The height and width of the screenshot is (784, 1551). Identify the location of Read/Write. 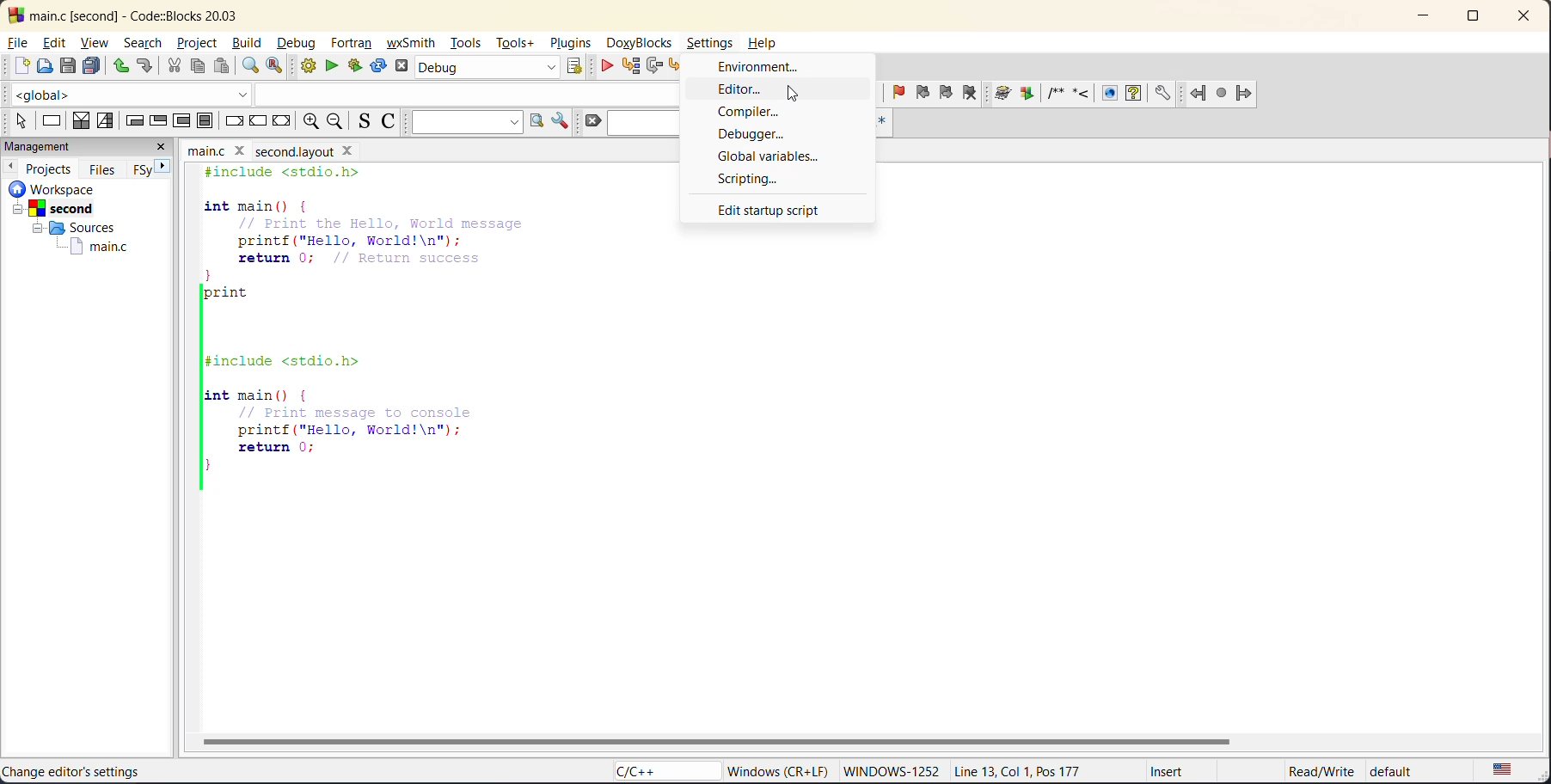
(1303, 771).